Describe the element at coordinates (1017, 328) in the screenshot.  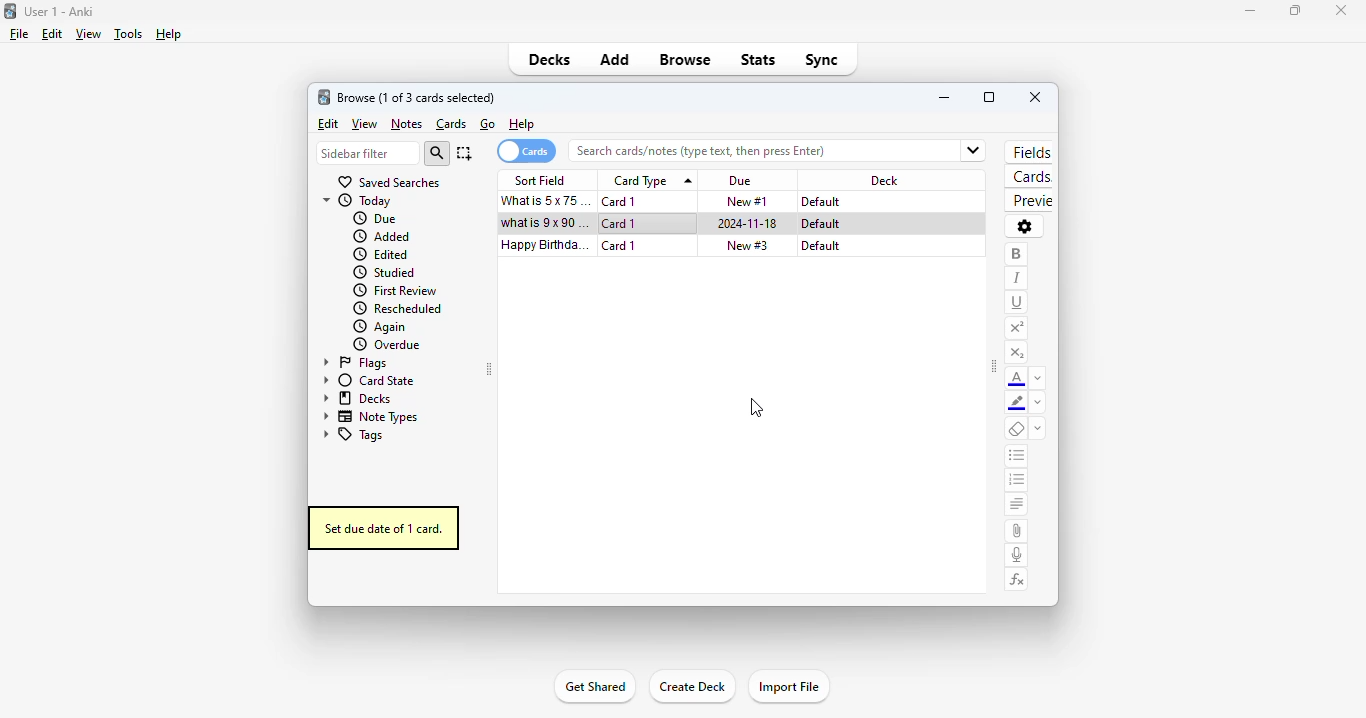
I see `superscript` at that location.